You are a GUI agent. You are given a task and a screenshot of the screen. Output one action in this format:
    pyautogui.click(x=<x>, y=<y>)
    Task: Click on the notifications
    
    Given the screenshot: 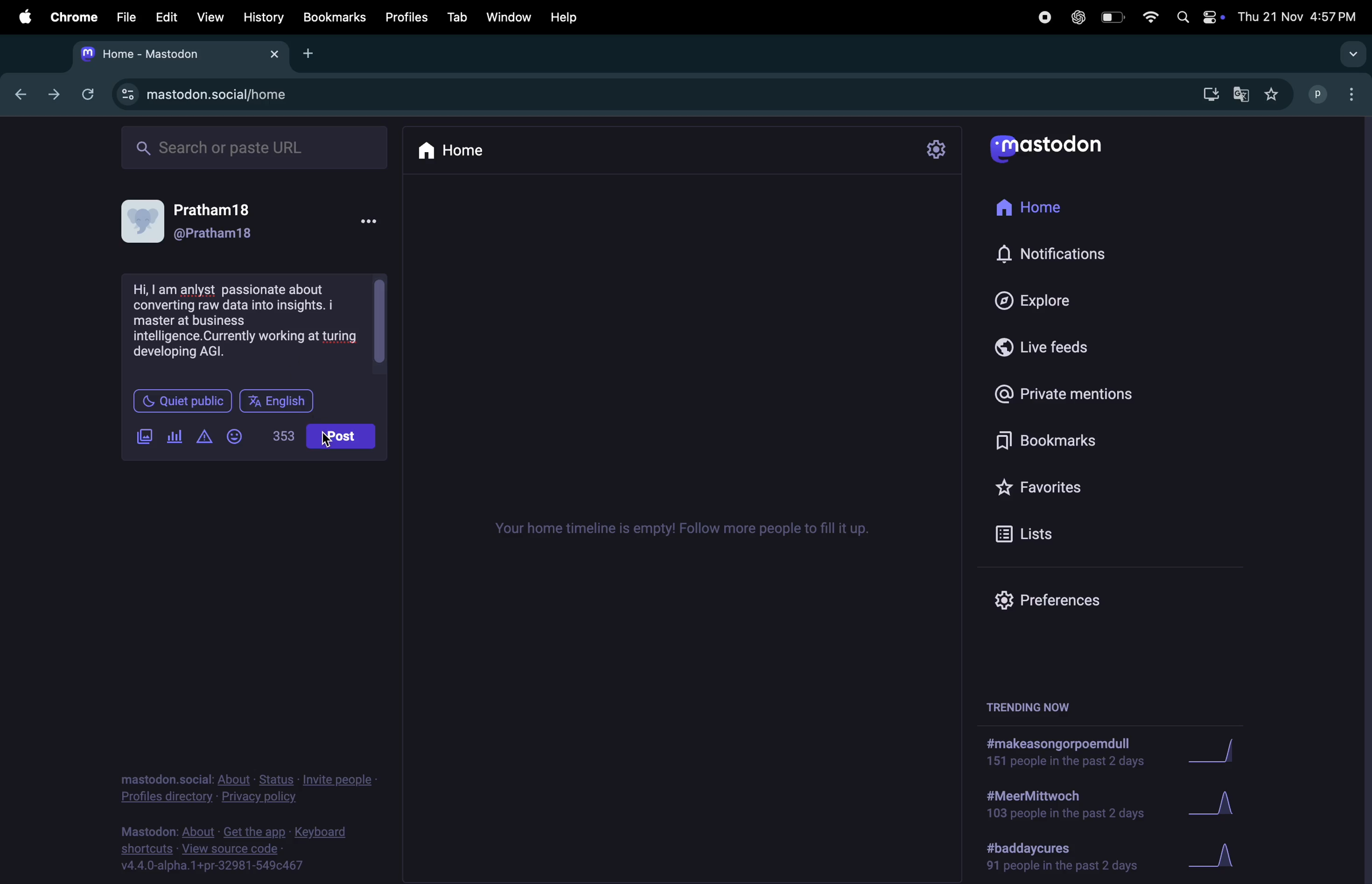 What is the action you would take?
    pyautogui.click(x=1061, y=253)
    